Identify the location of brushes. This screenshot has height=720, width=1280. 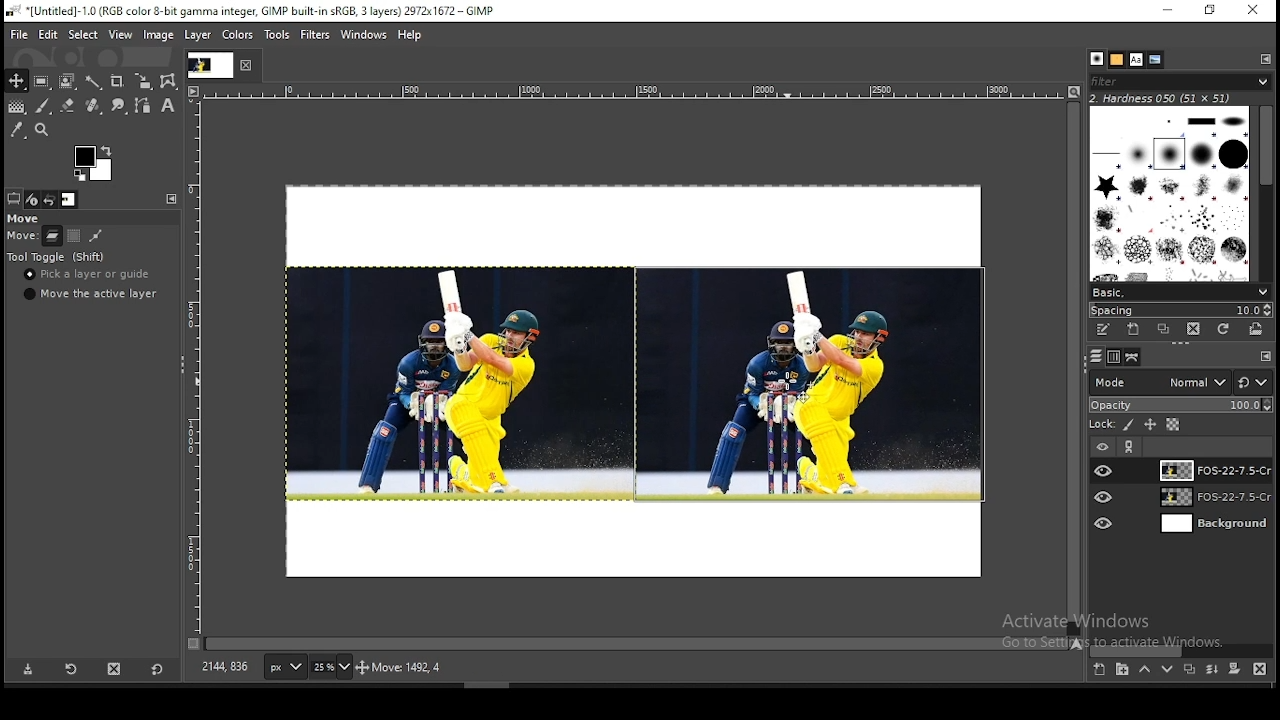
(1097, 59).